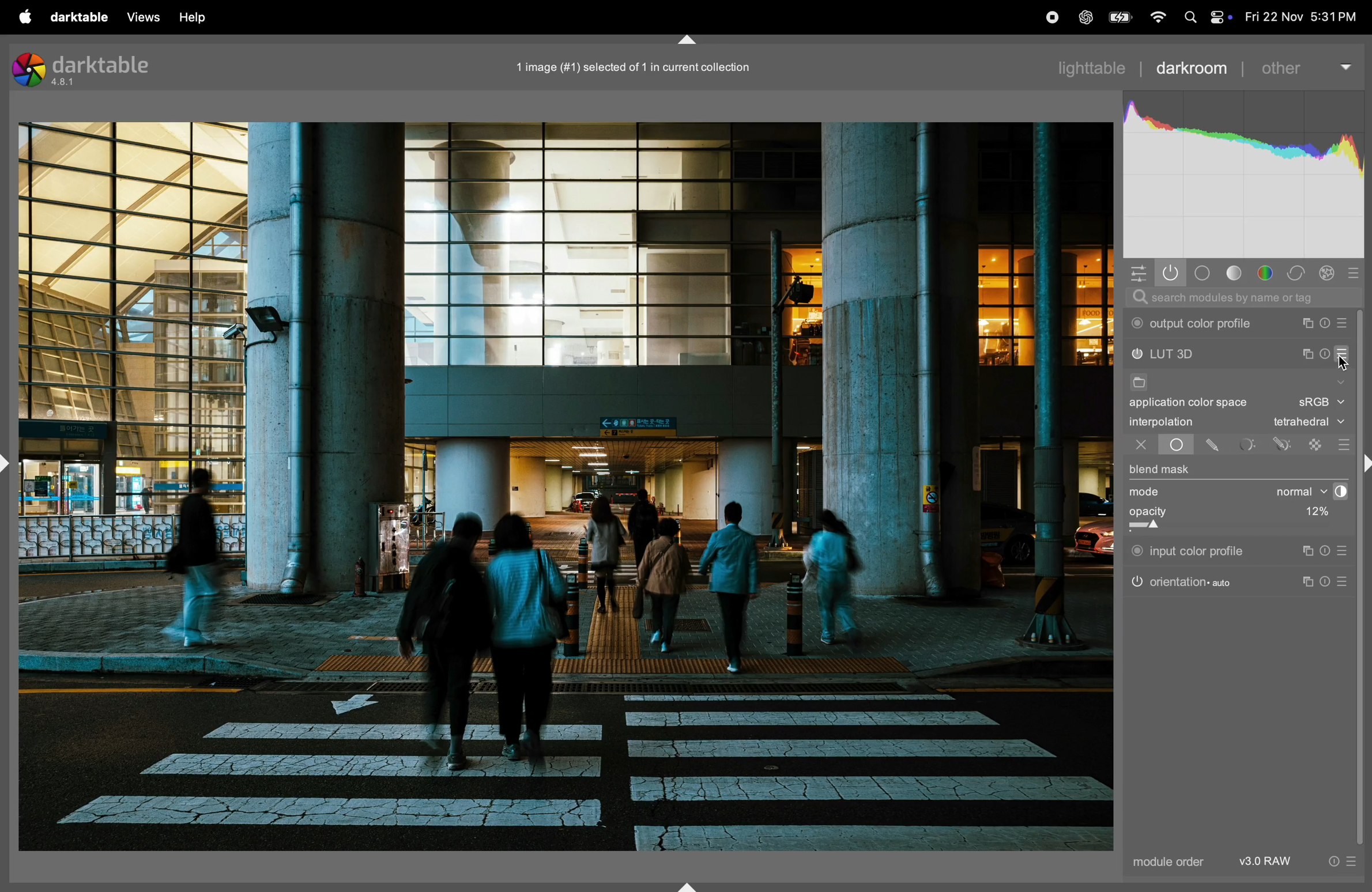 This screenshot has width=1372, height=892. I want to click on reset parameters, so click(1329, 551).